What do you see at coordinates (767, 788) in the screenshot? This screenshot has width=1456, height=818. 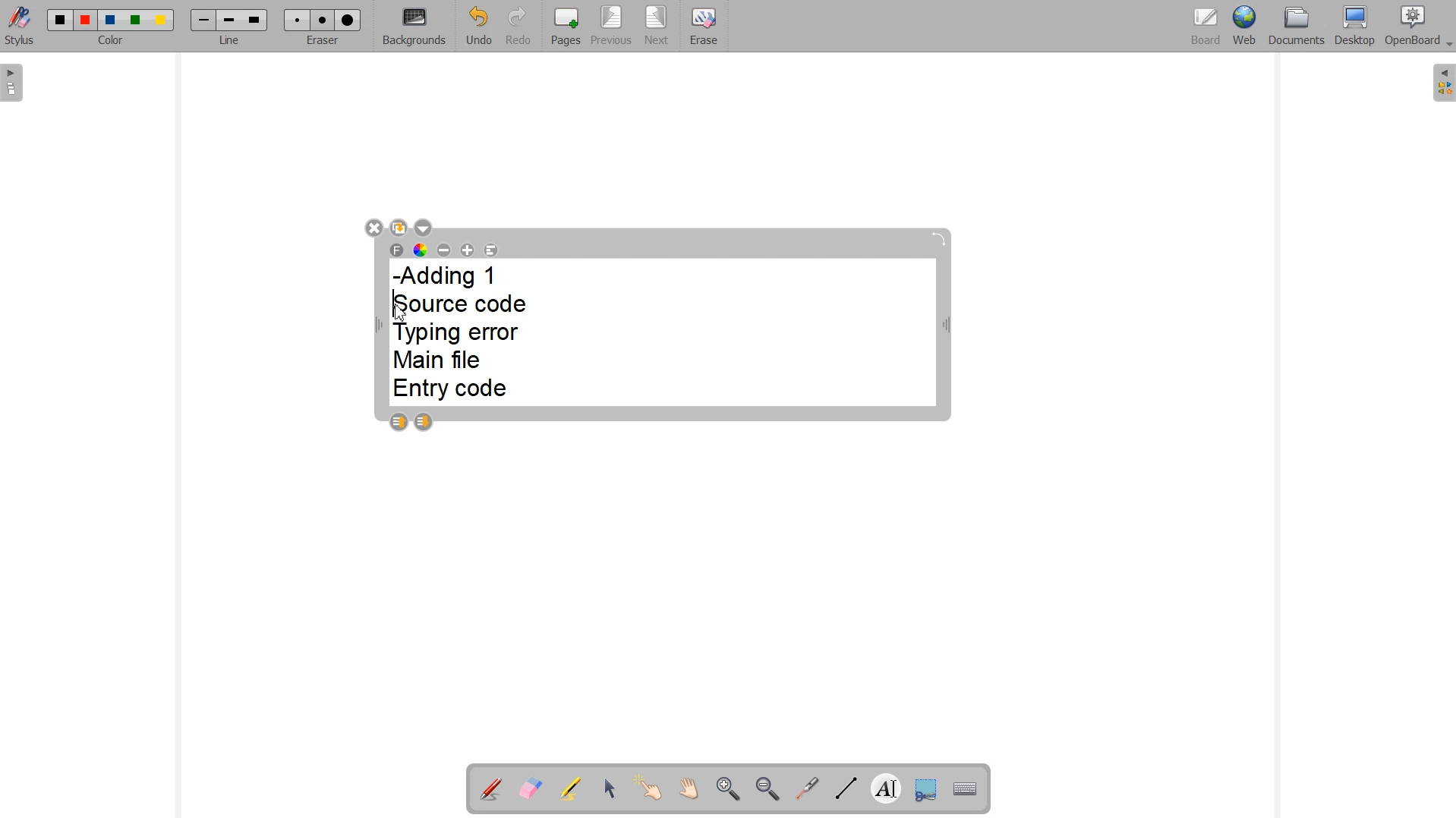 I see `Zoom out` at bounding box center [767, 788].